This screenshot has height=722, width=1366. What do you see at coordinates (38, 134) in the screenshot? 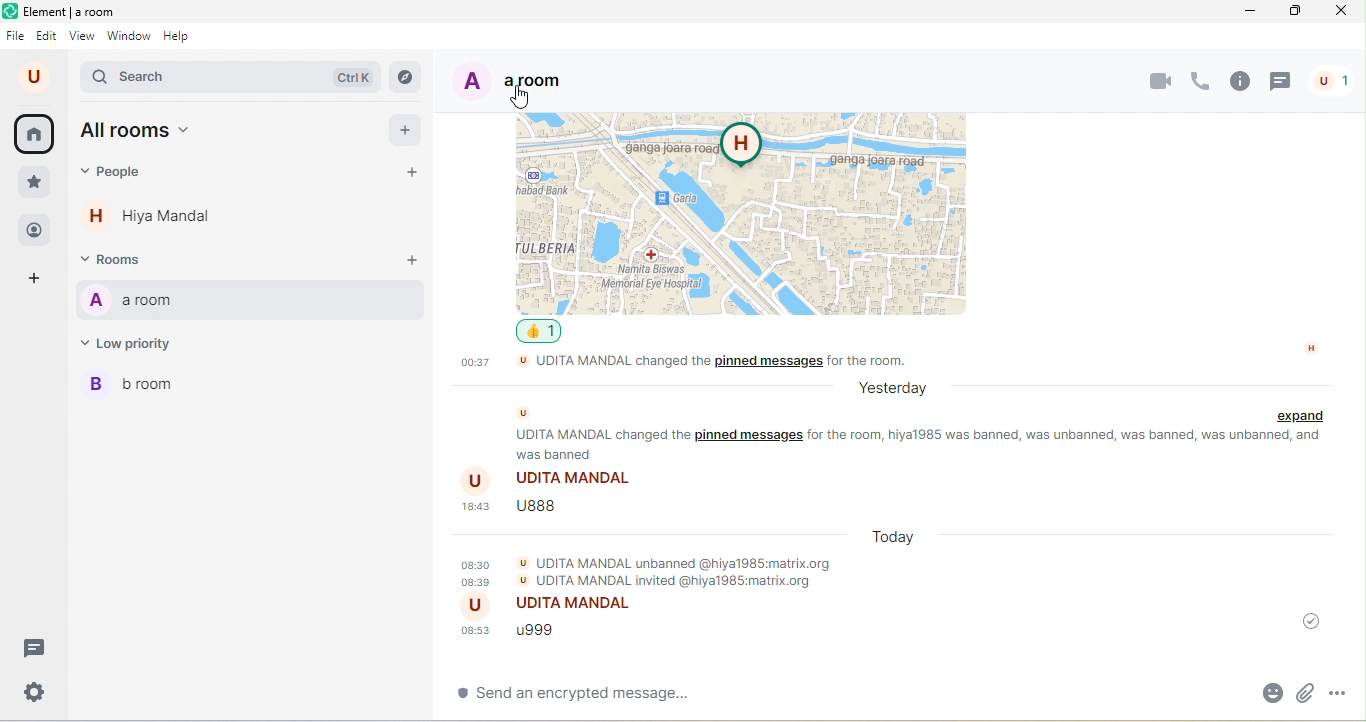
I see `home` at bounding box center [38, 134].